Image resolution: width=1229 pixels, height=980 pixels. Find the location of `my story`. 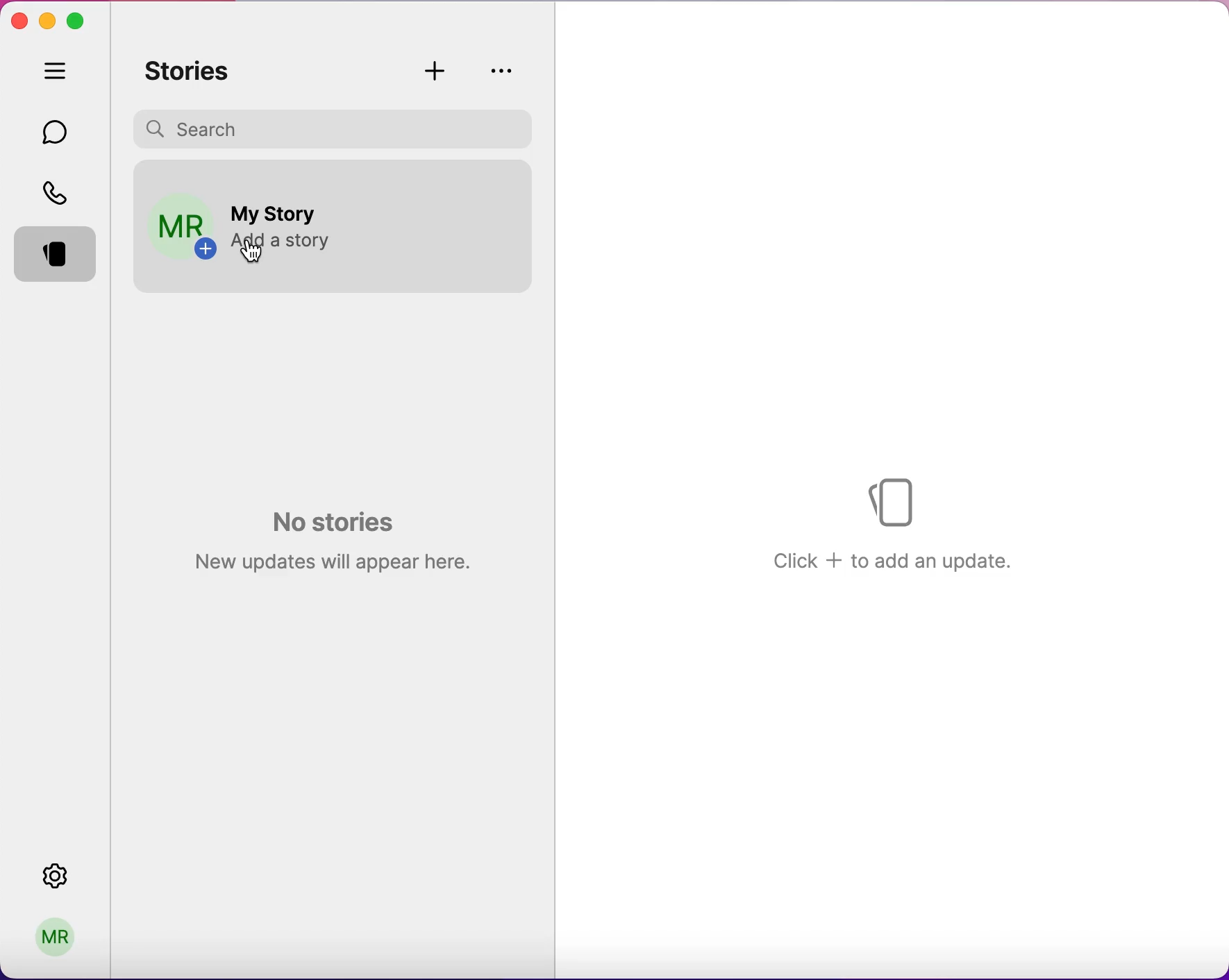

my story is located at coordinates (277, 207).